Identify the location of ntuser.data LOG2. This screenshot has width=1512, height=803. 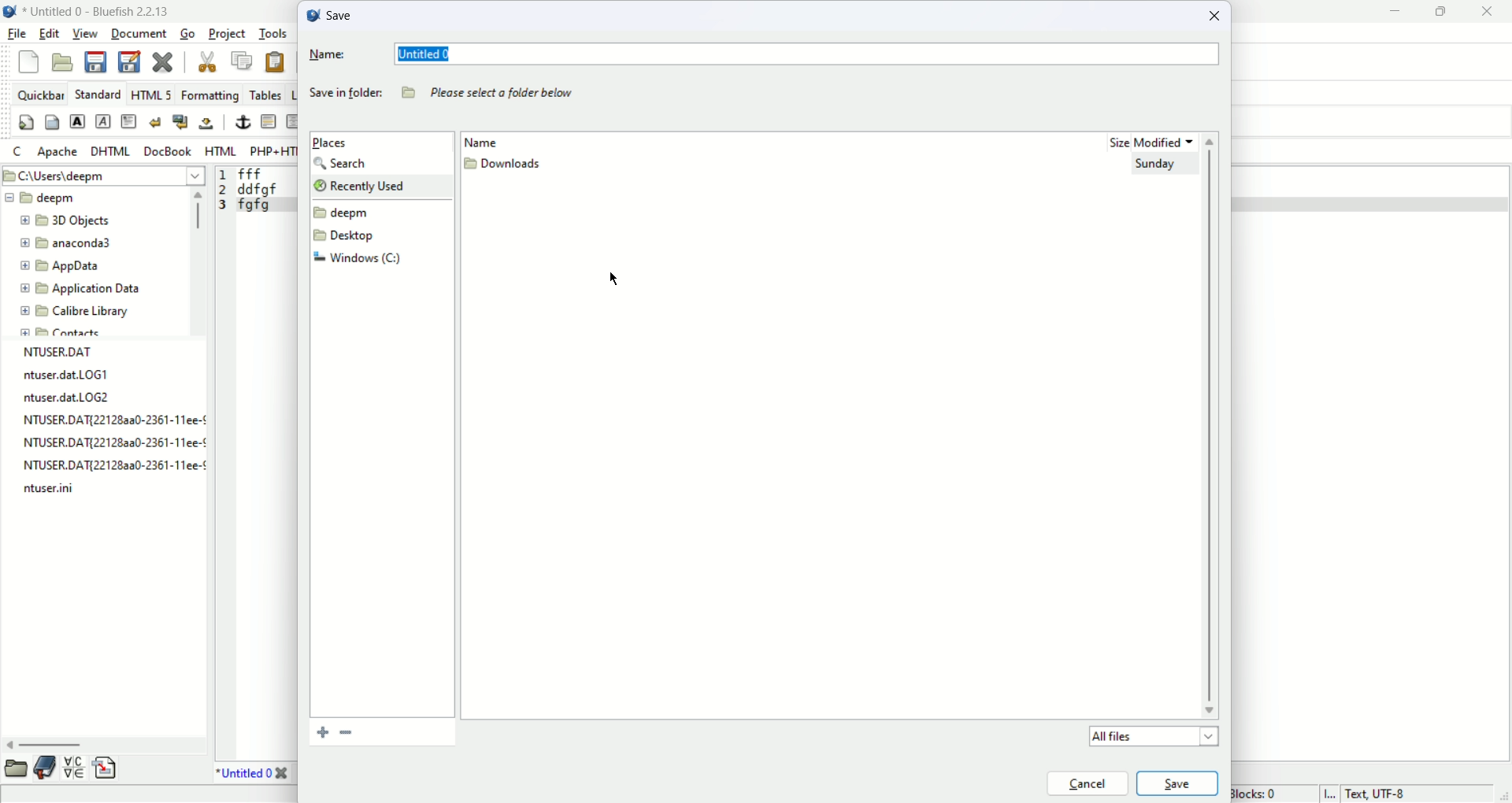
(70, 398).